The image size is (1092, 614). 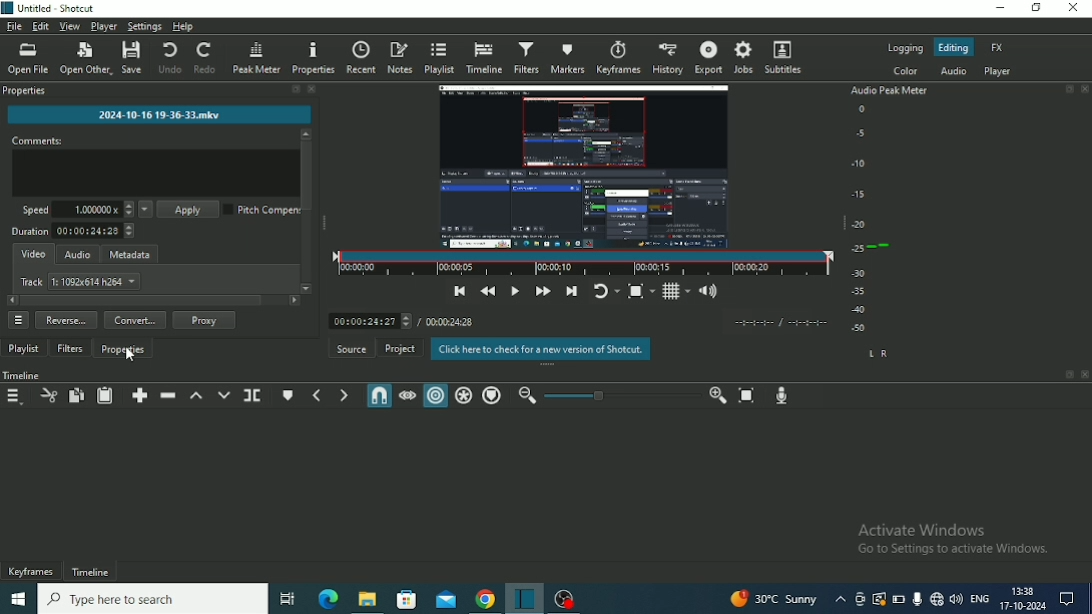 I want to click on Date, so click(x=1022, y=607).